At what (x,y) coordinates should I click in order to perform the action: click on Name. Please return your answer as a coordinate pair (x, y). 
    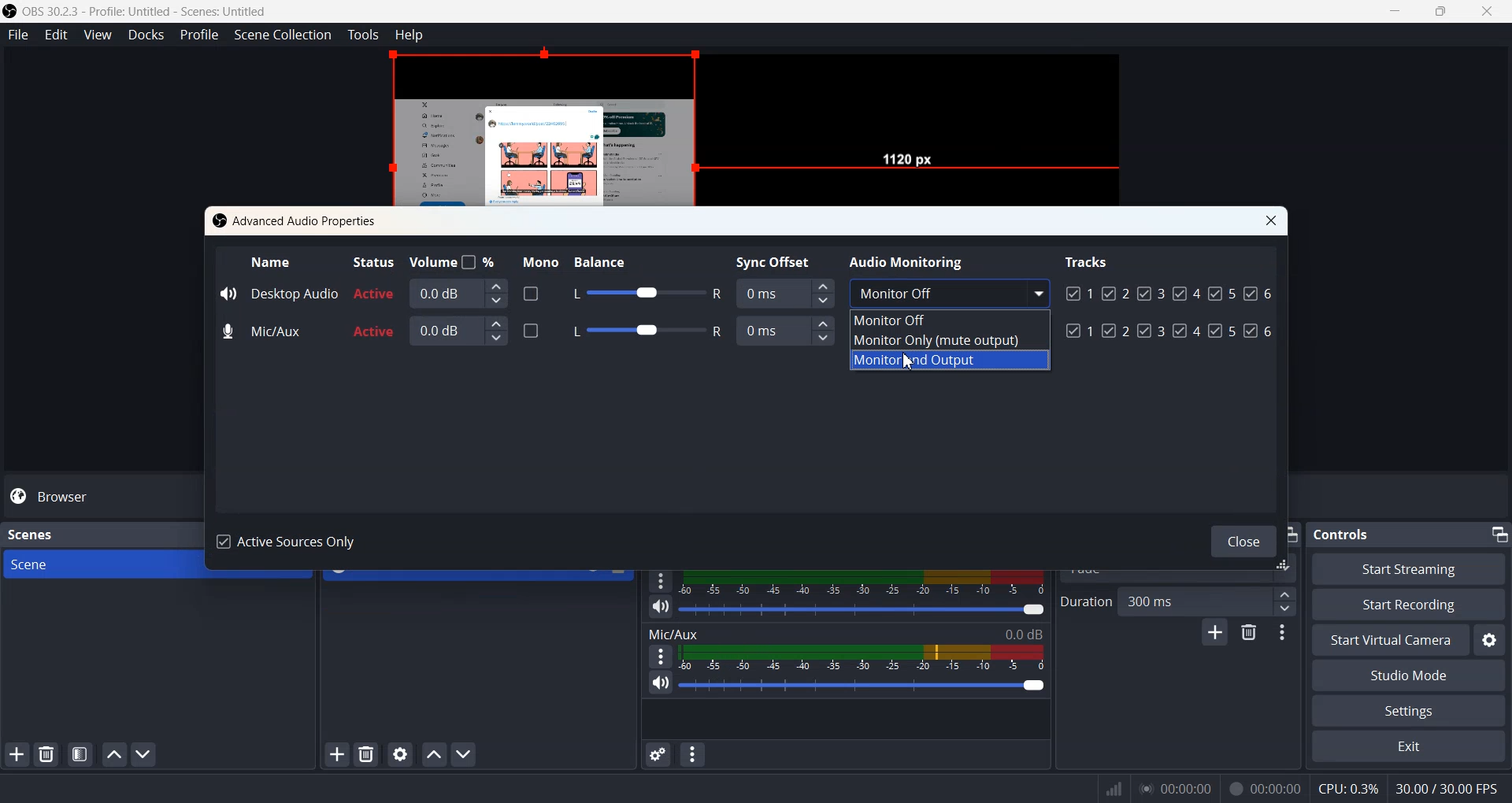
    Looking at the image, I should click on (272, 261).